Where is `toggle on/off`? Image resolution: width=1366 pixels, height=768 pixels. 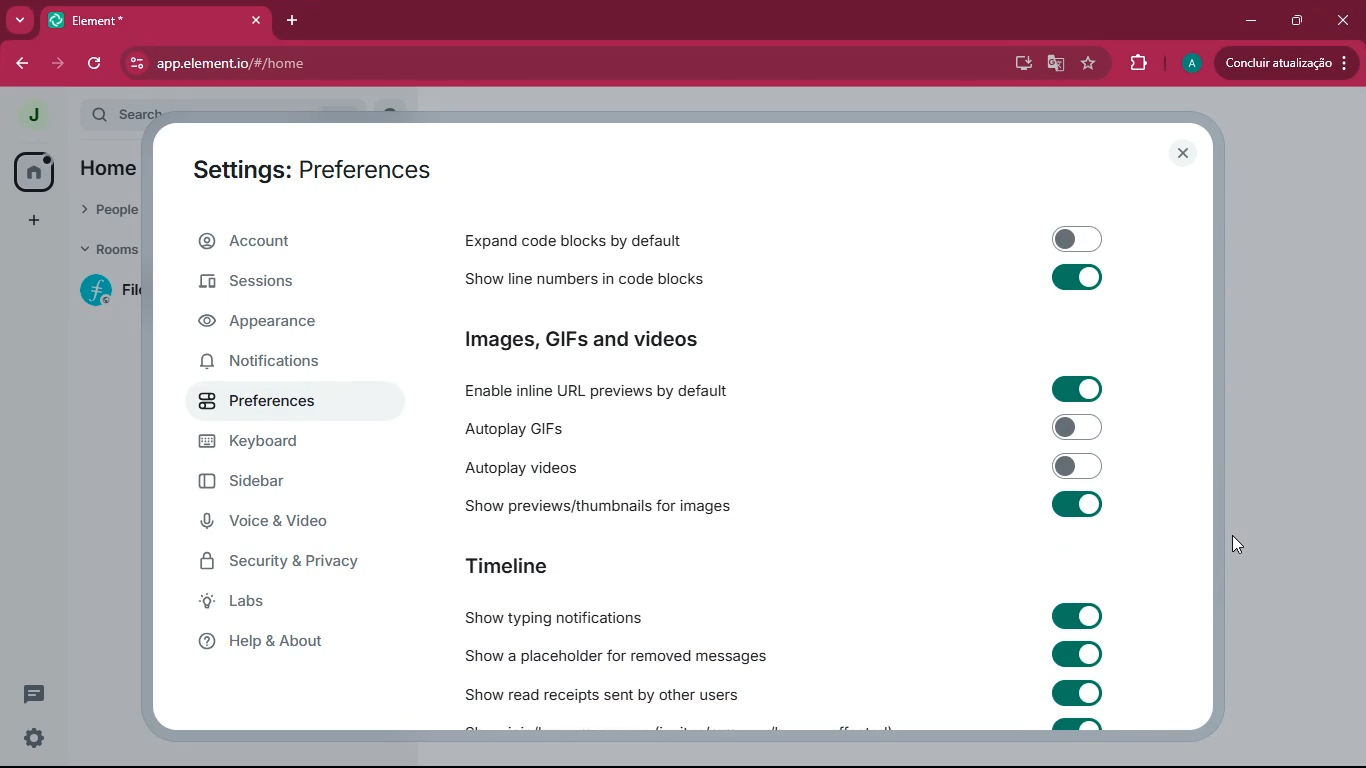
toggle on/off is located at coordinates (1079, 277).